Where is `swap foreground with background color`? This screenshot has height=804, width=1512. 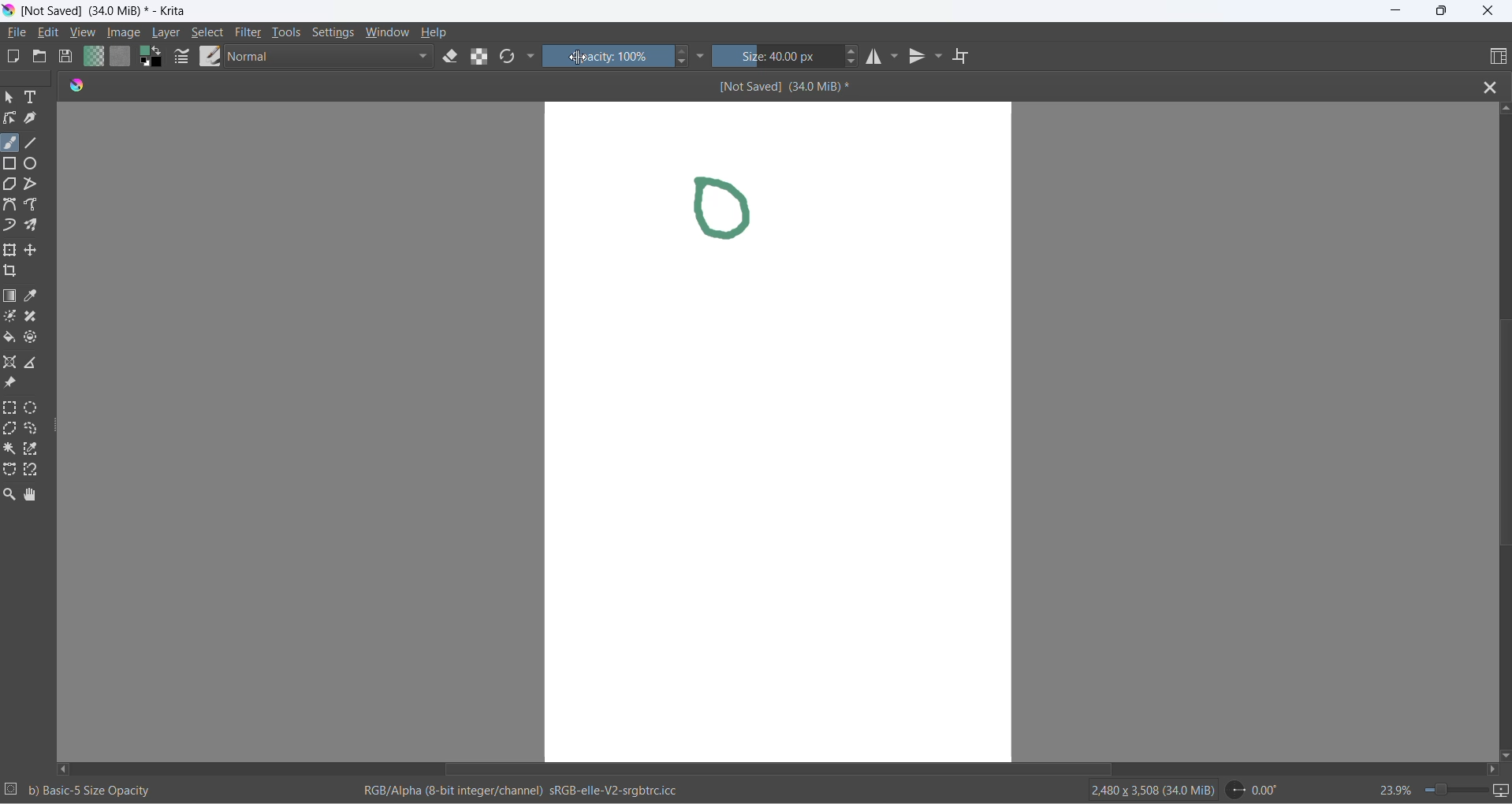
swap foreground with background color is located at coordinates (153, 57).